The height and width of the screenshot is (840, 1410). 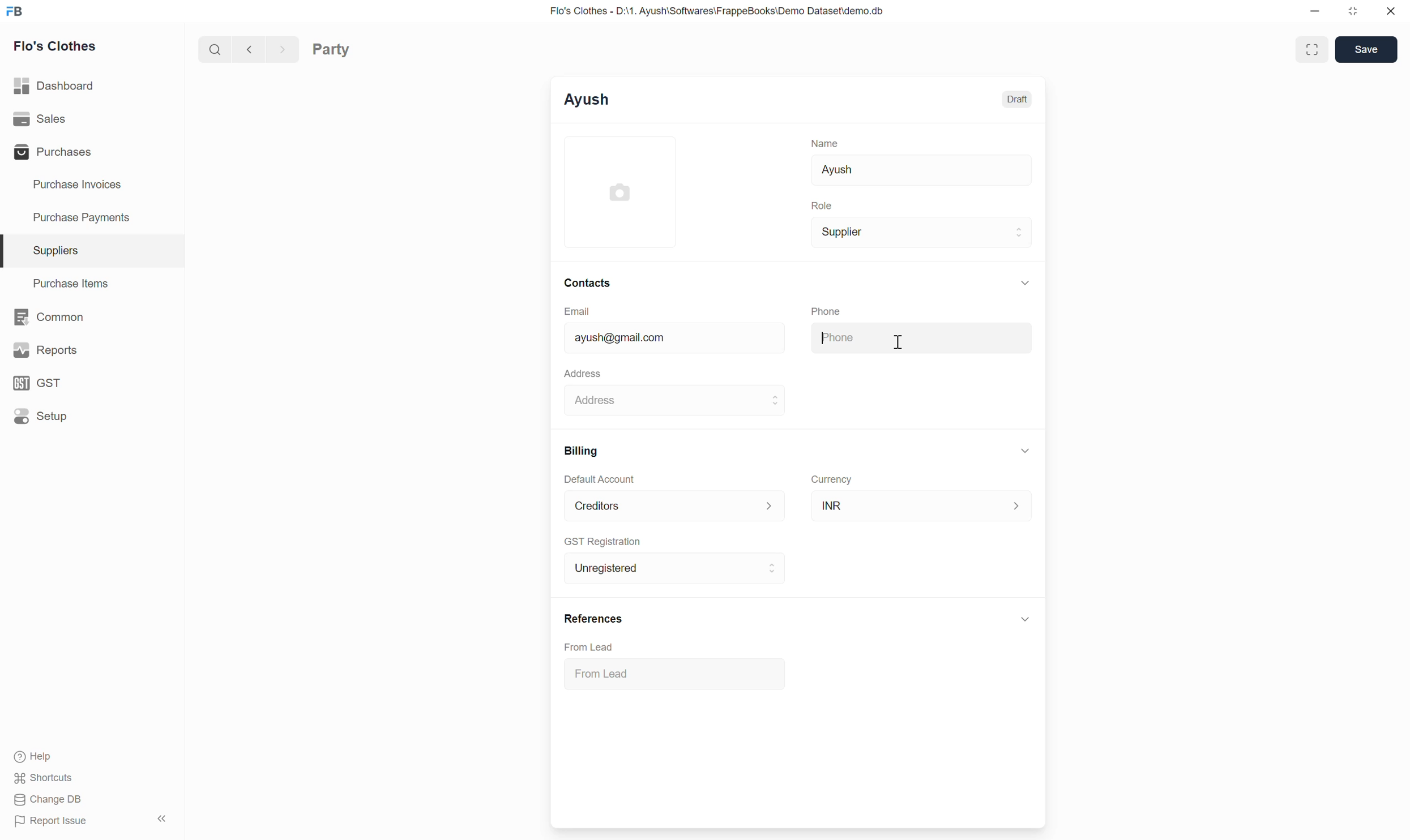 What do you see at coordinates (92, 218) in the screenshot?
I see `Purchase Payments` at bounding box center [92, 218].